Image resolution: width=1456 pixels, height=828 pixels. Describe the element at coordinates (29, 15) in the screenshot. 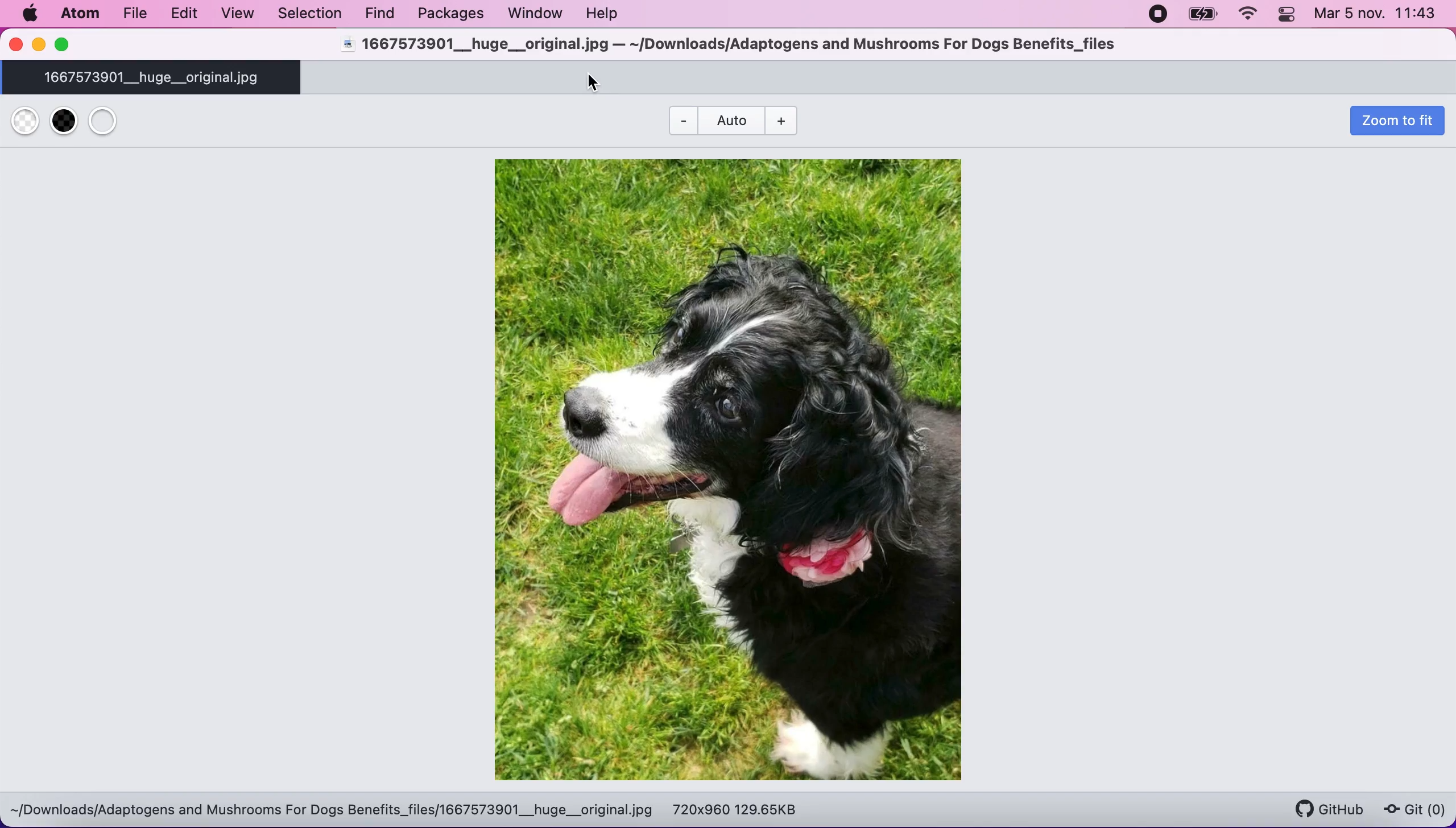

I see `mac logo` at that location.